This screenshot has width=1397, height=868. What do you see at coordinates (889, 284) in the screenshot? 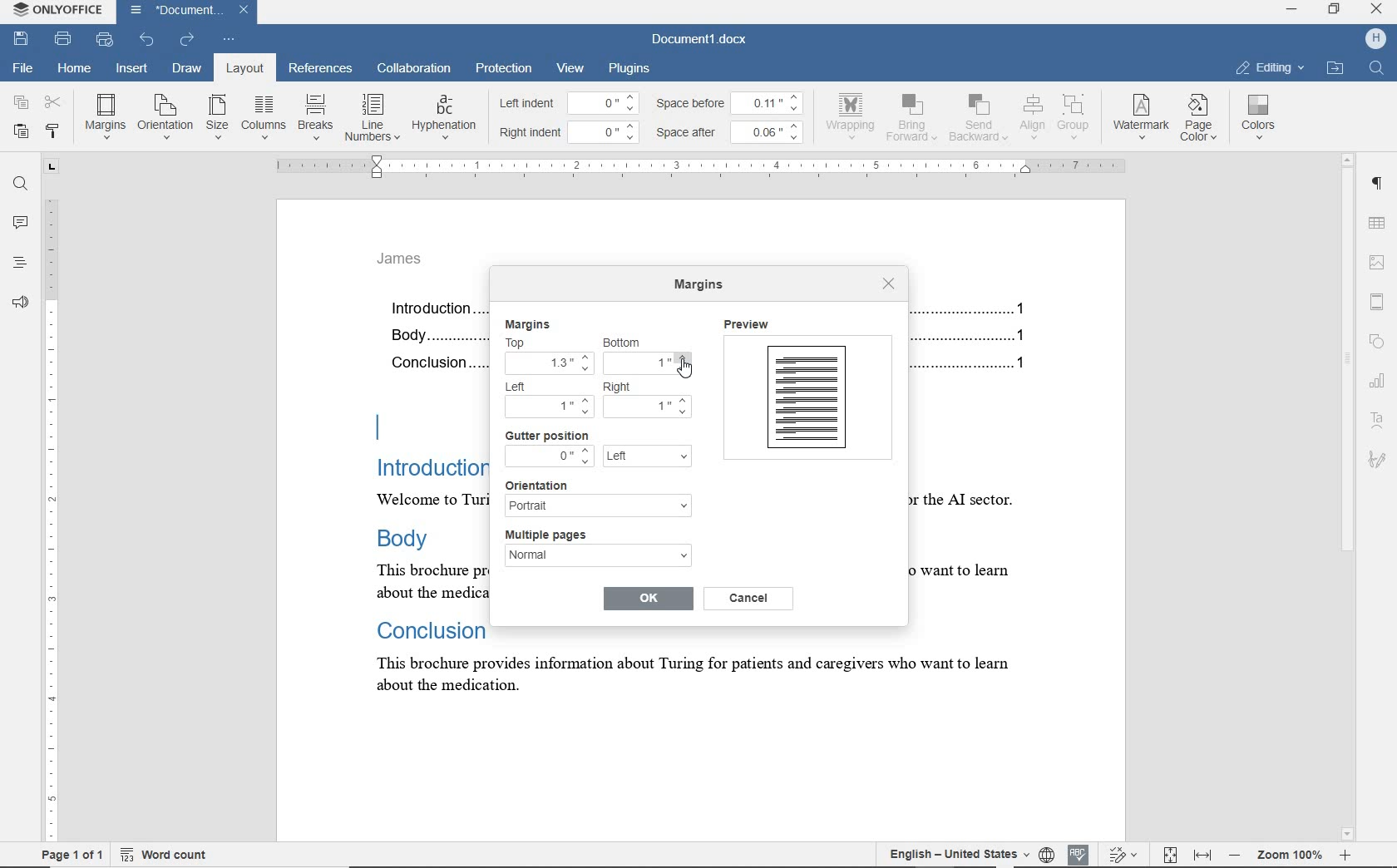
I see `close` at bounding box center [889, 284].